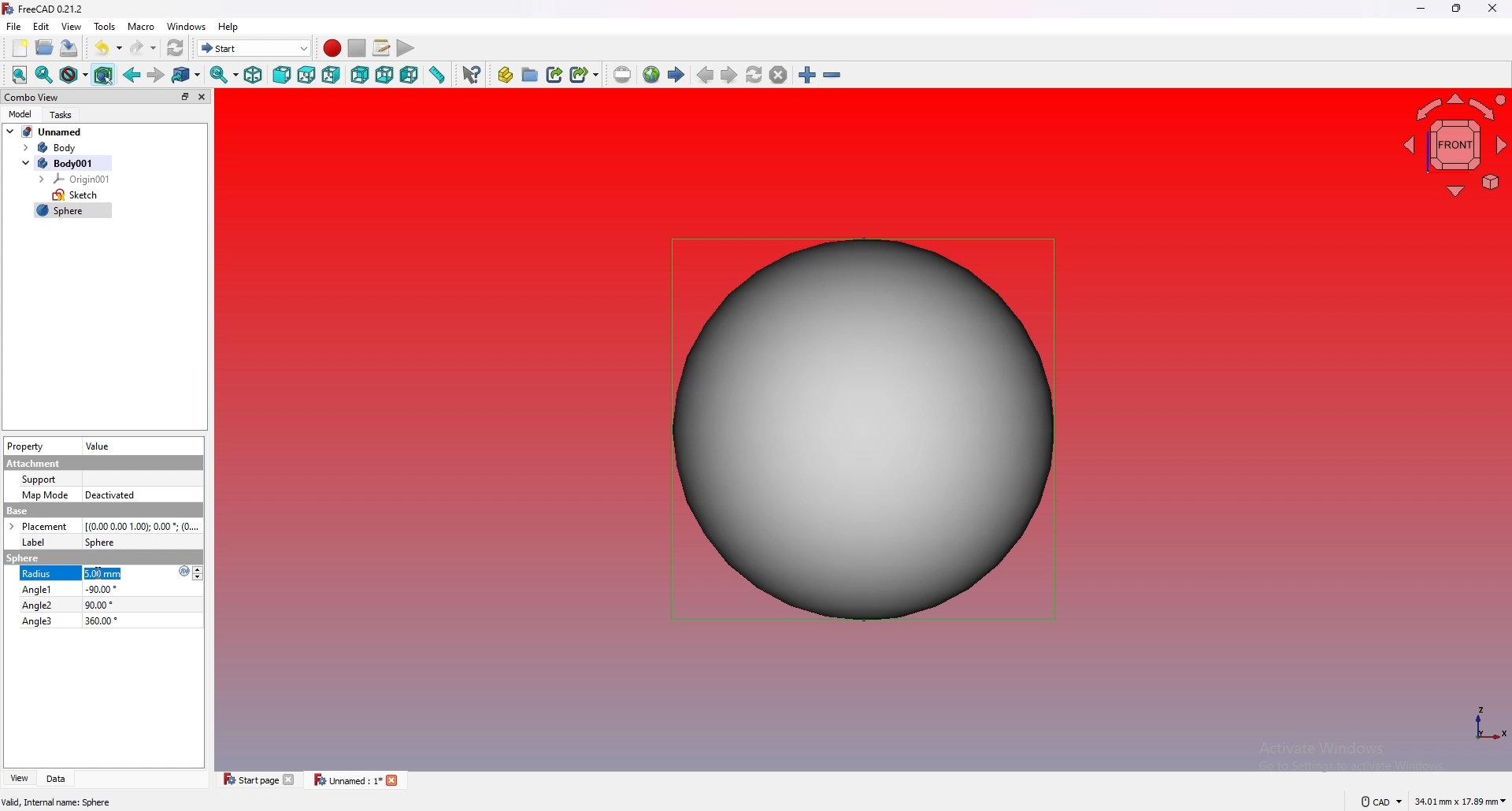 The width and height of the screenshot is (1512, 811). I want to click on fit all, so click(20, 76).